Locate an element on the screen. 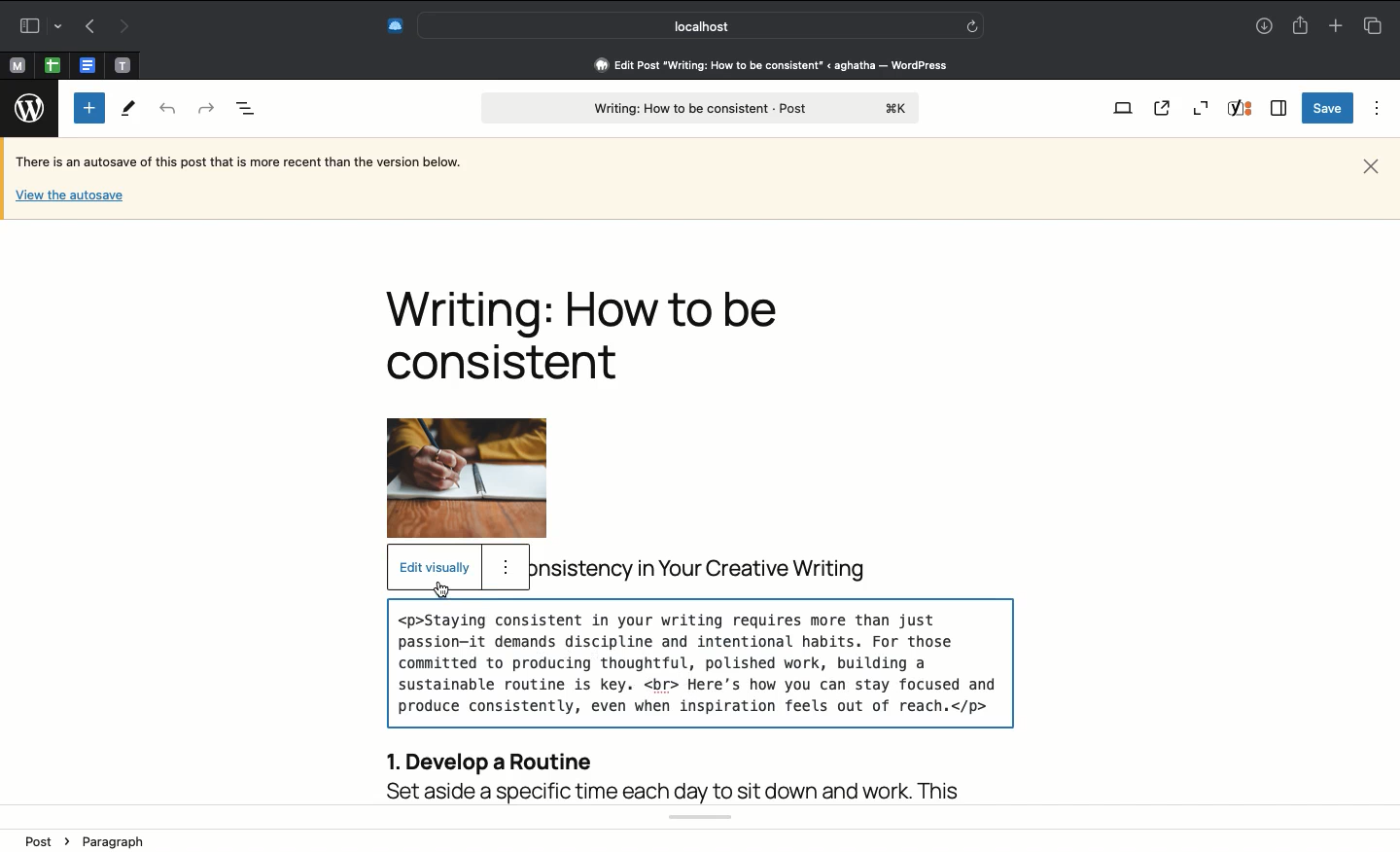 The width and height of the screenshot is (1400, 852). Image is located at coordinates (490, 478).